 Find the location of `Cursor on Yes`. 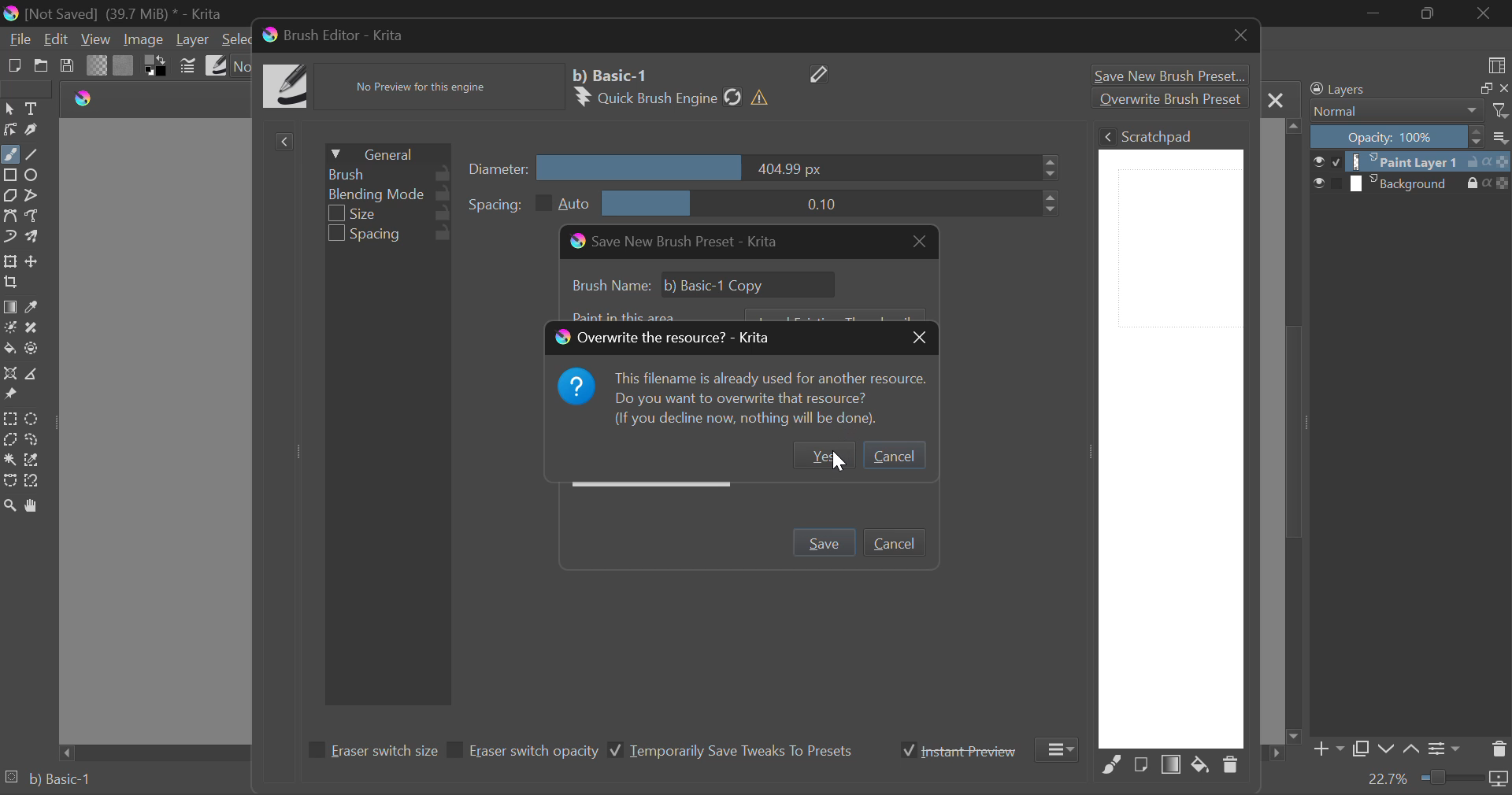

Cursor on Yes is located at coordinates (836, 460).